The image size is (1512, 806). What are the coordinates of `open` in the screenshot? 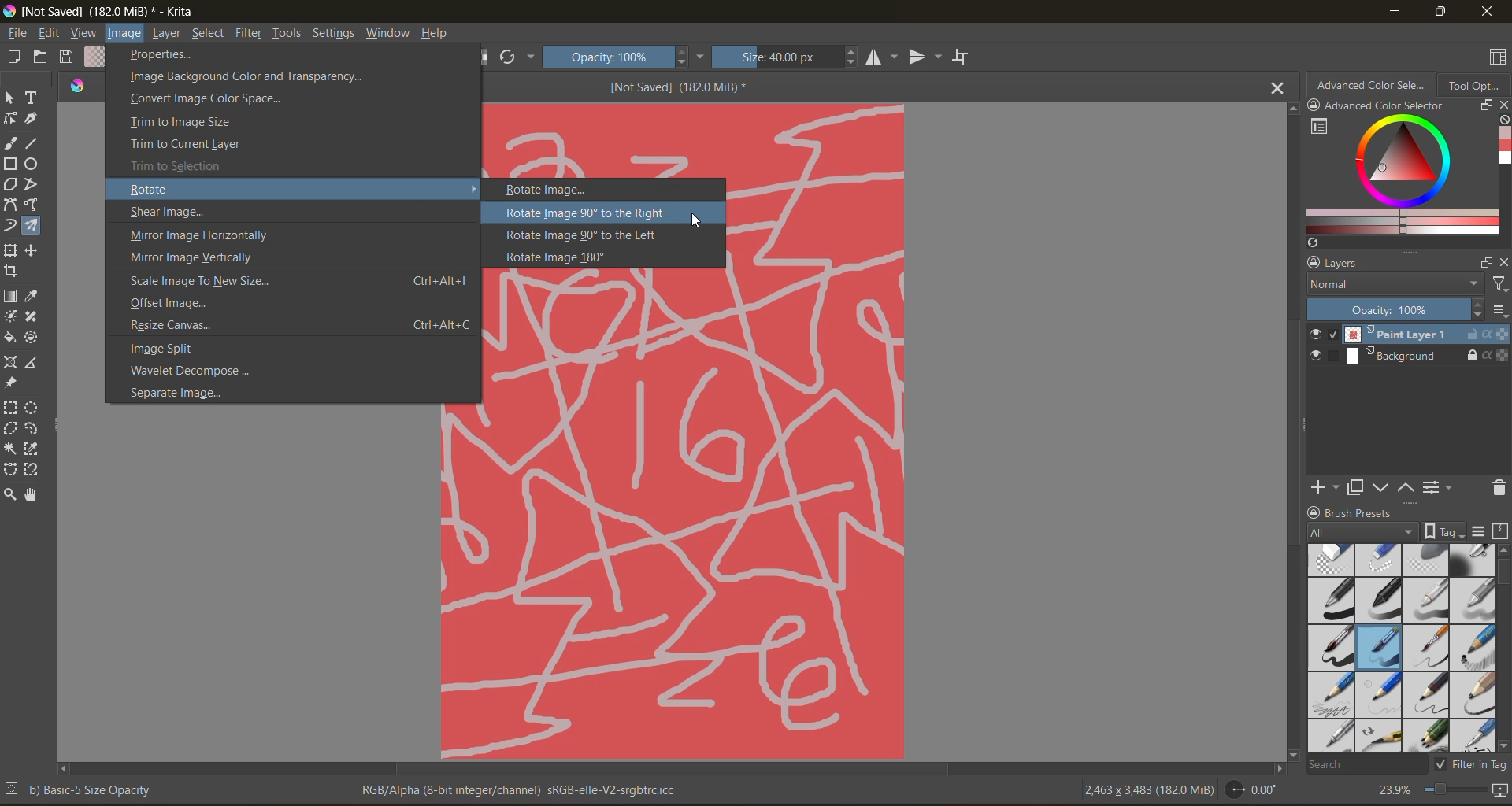 It's located at (43, 57).